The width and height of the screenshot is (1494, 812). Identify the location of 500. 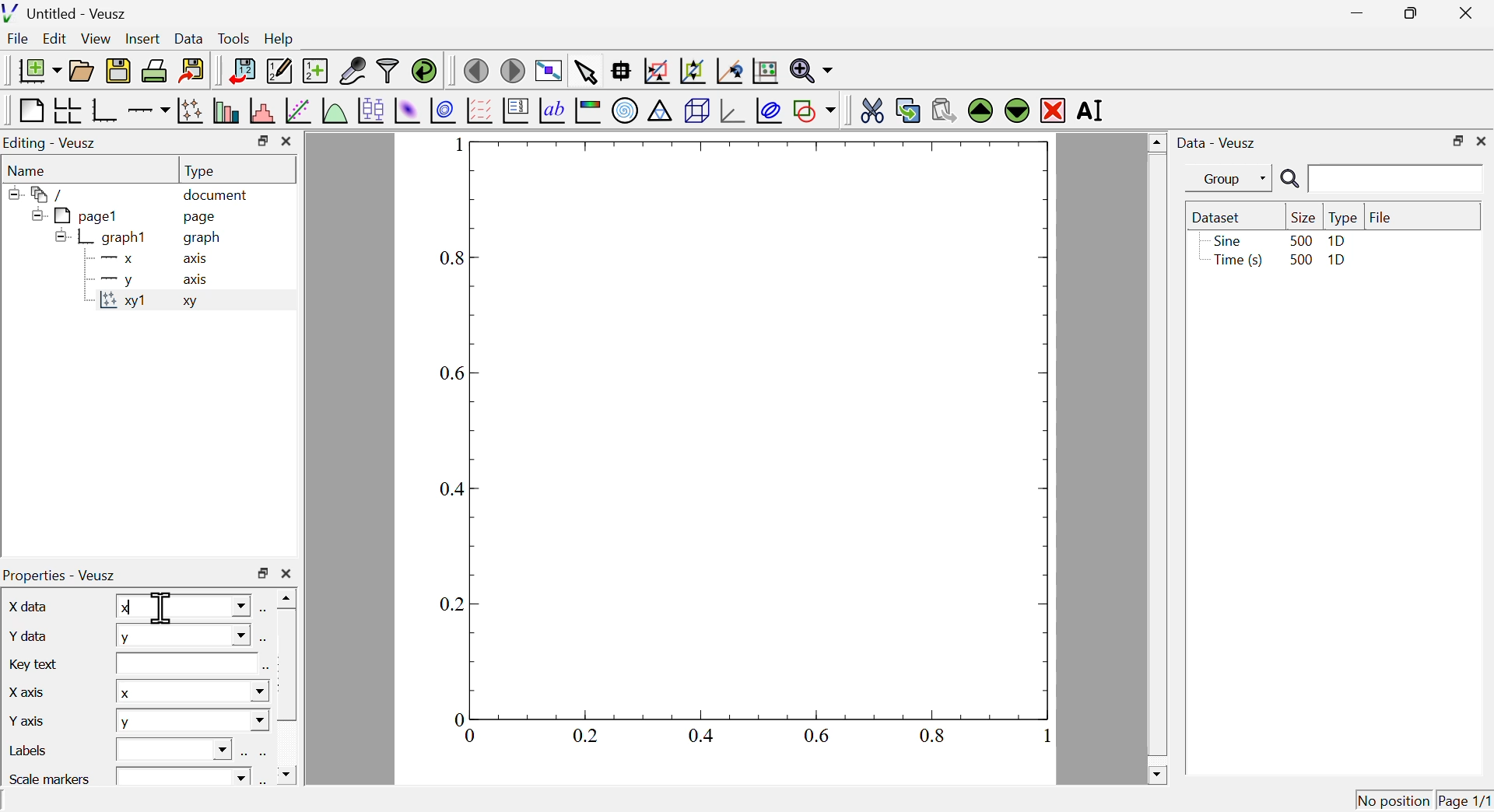
(1300, 240).